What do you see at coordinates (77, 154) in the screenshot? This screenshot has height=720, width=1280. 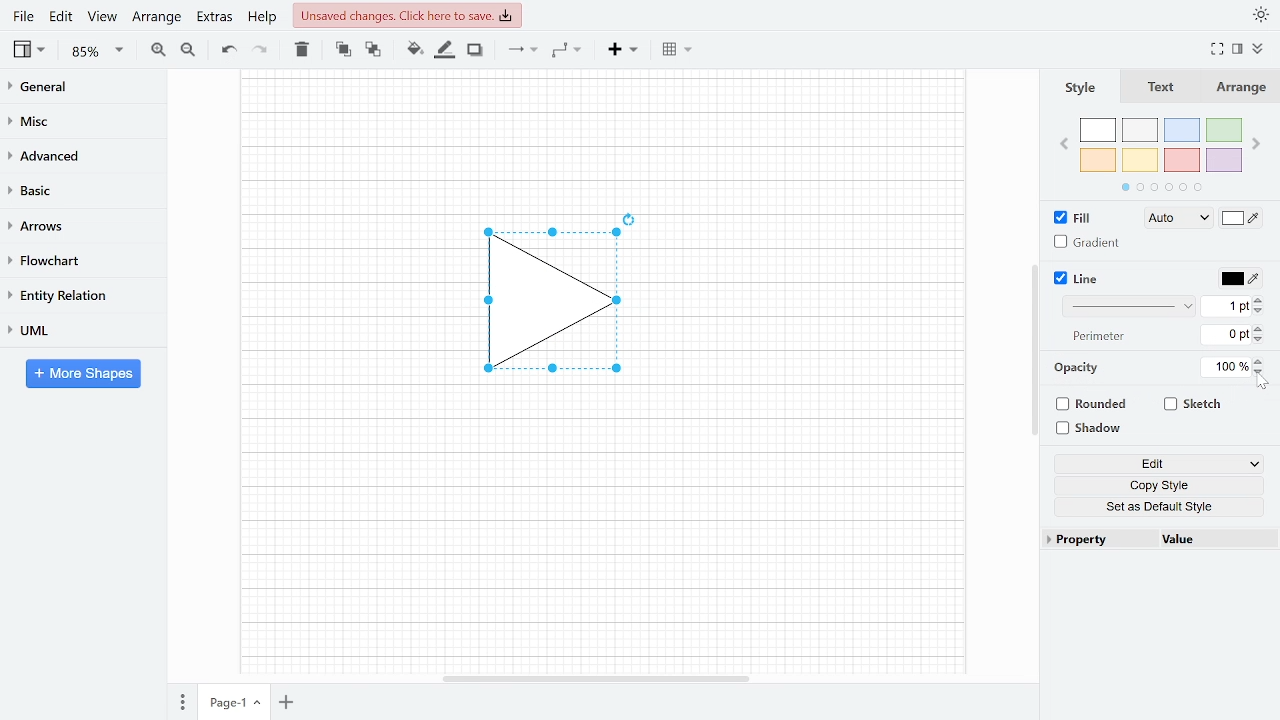 I see `Advanced` at bounding box center [77, 154].